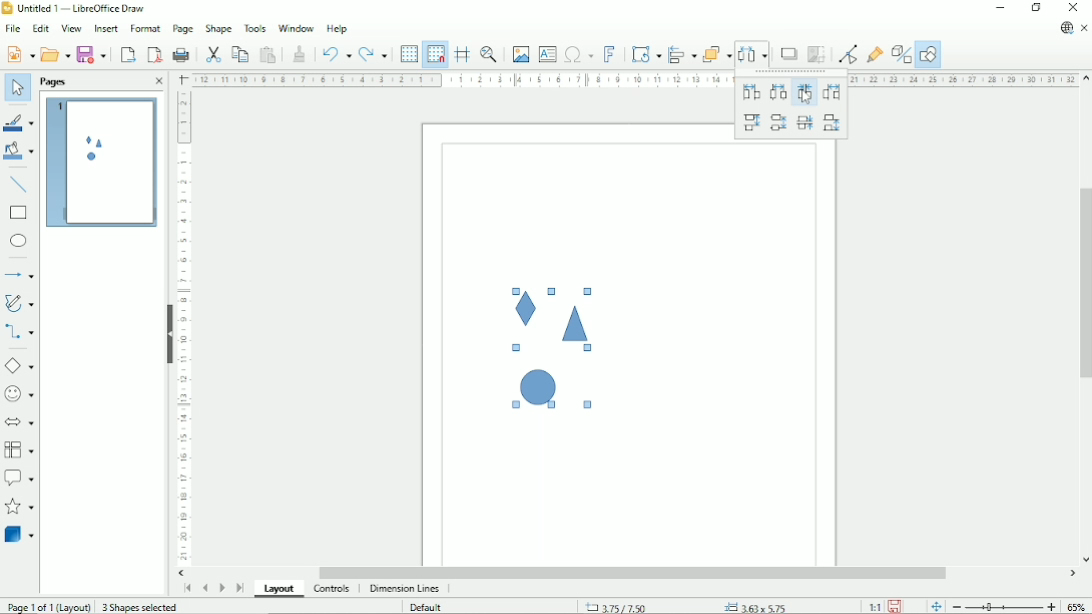 This screenshot has height=614, width=1092. I want to click on Scaling factor, so click(873, 607).